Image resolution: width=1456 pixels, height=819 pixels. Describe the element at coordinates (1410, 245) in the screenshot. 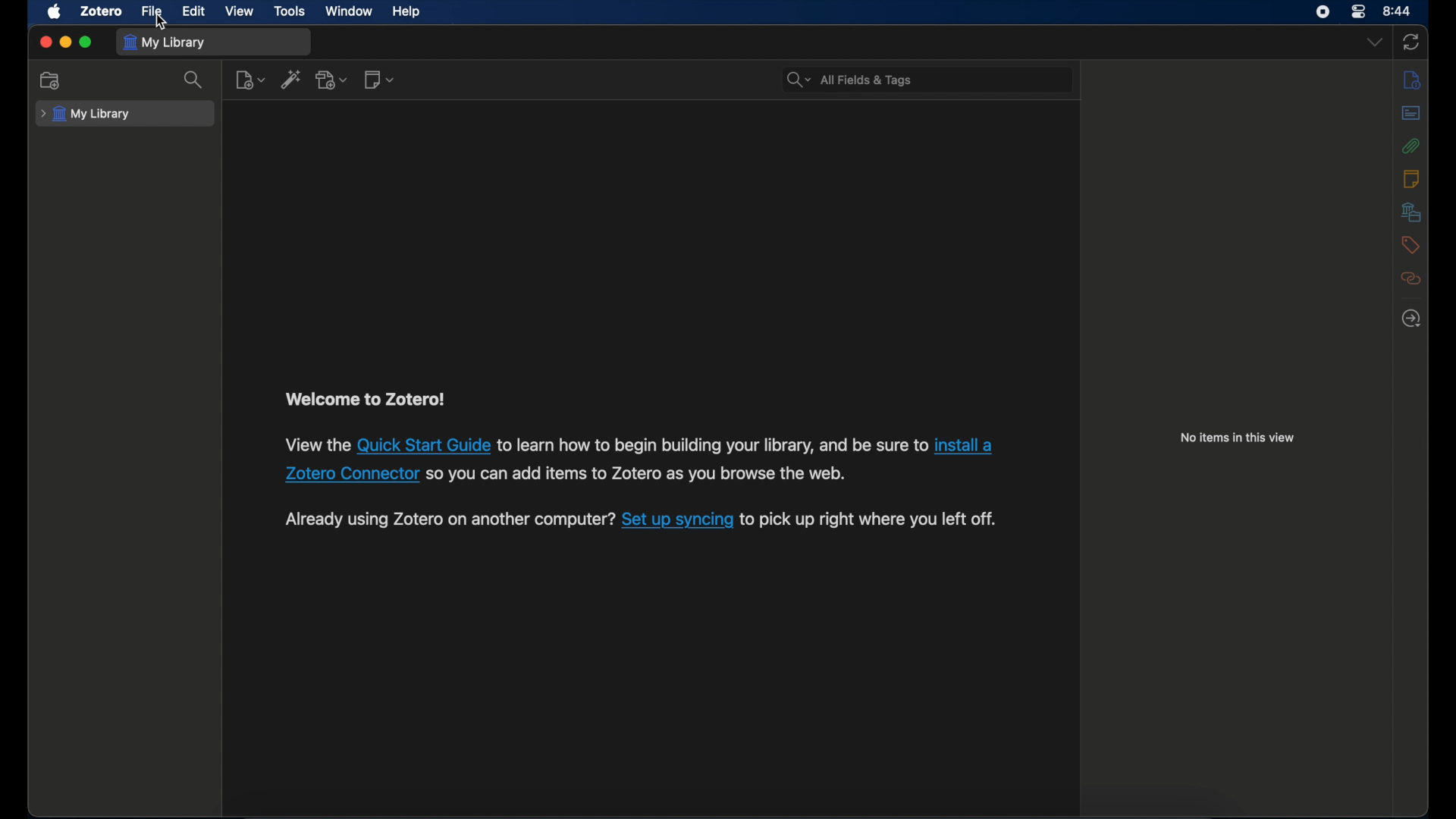

I see `tags` at that location.